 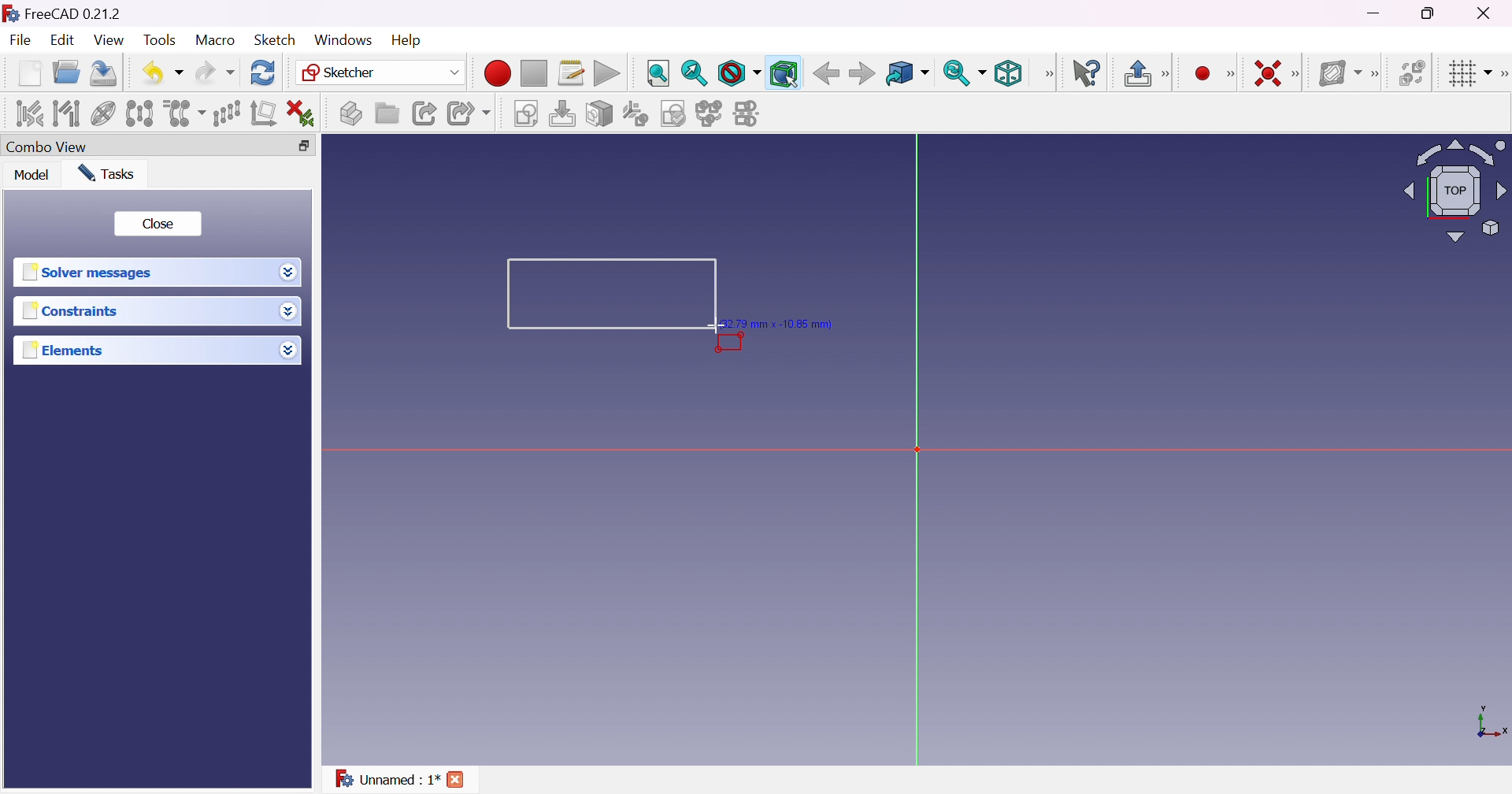 What do you see at coordinates (1231, 72) in the screenshot?
I see `[Sketcher geometrics]` at bounding box center [1231, 72].